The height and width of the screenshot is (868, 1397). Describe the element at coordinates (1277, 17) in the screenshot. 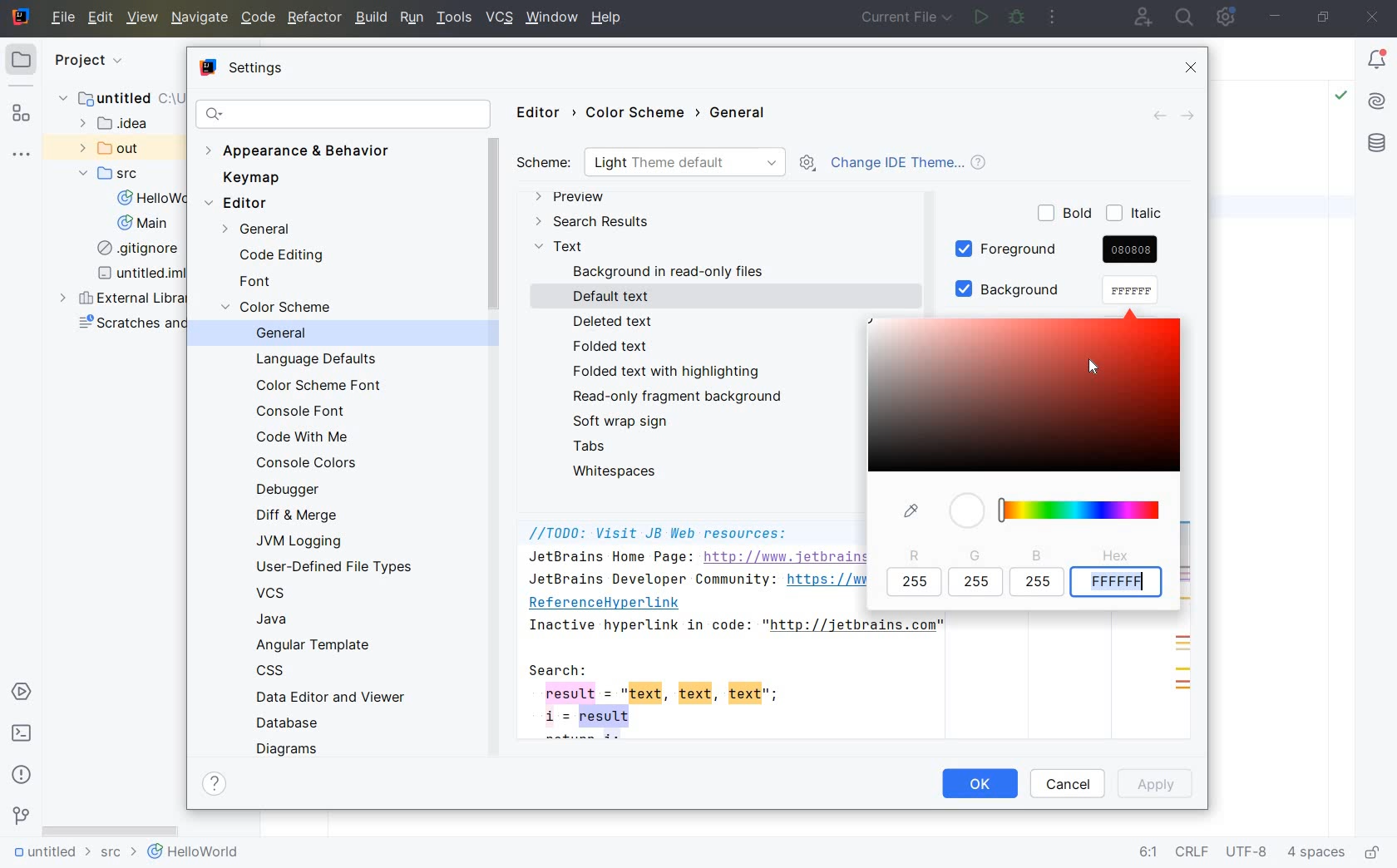

I see `minimize` at that location.